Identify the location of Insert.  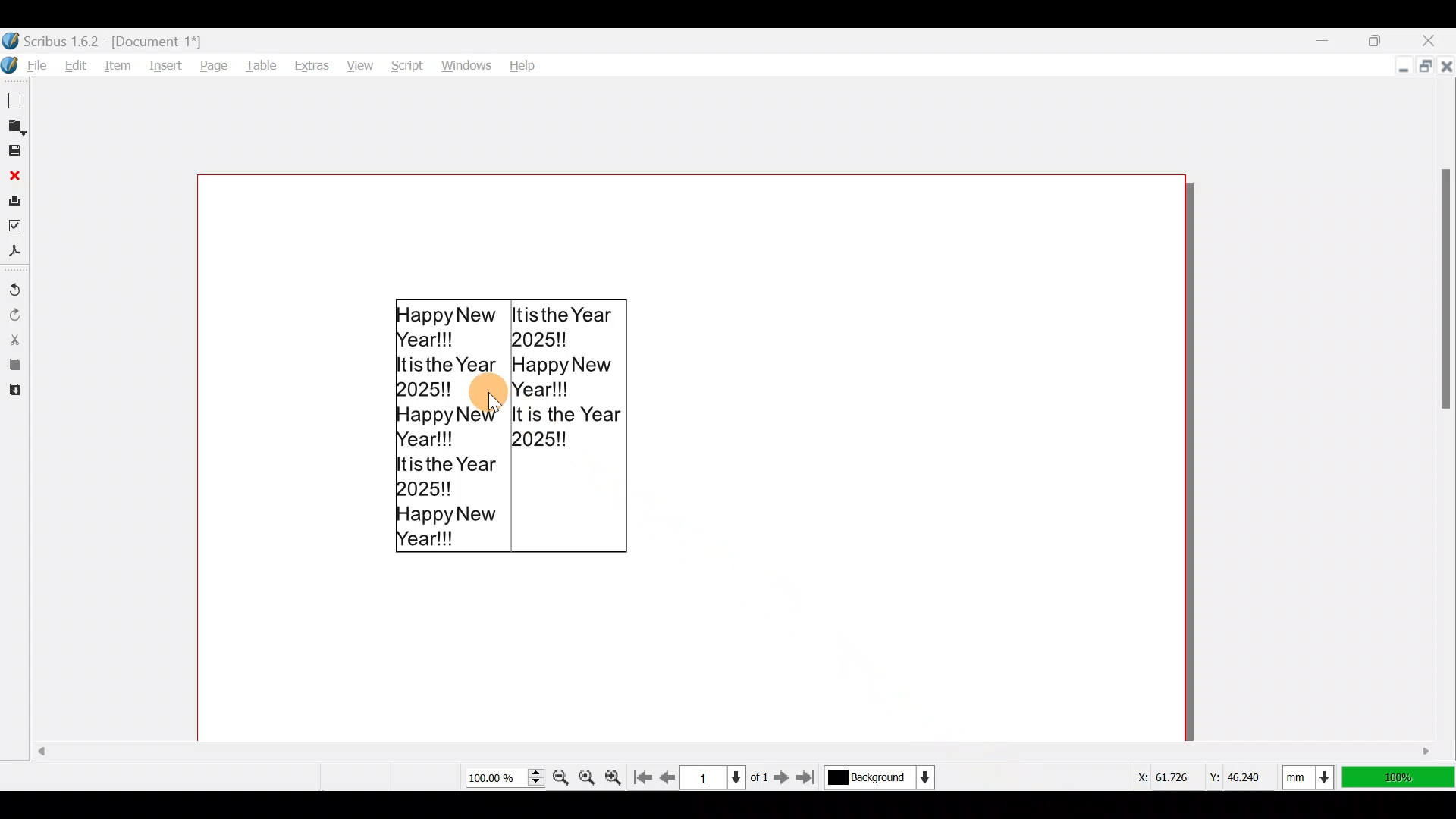
(169, 66).